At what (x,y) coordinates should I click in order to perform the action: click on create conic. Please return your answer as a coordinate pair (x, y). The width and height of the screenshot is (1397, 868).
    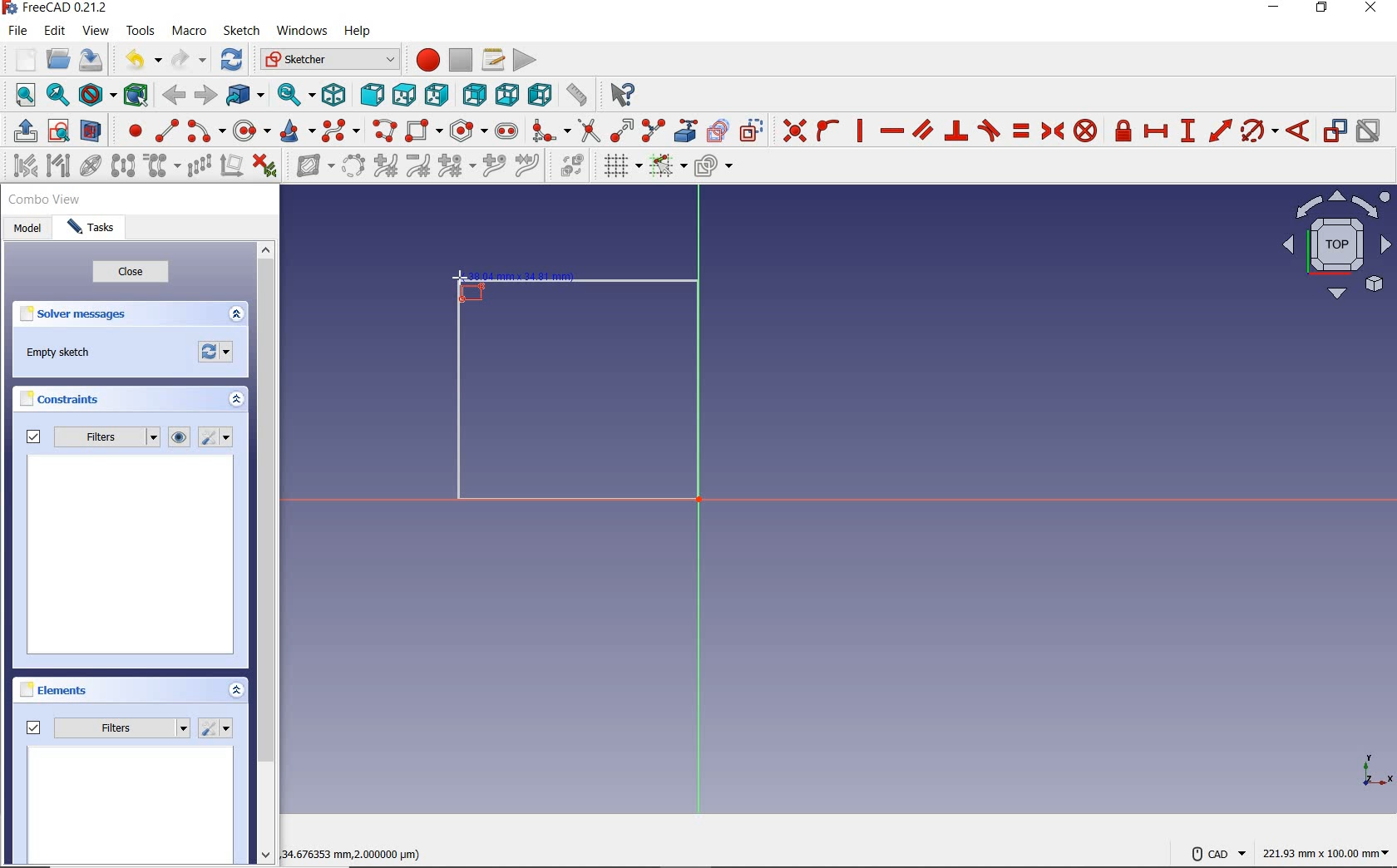
    Looking at the image, I should click on (299, 131).